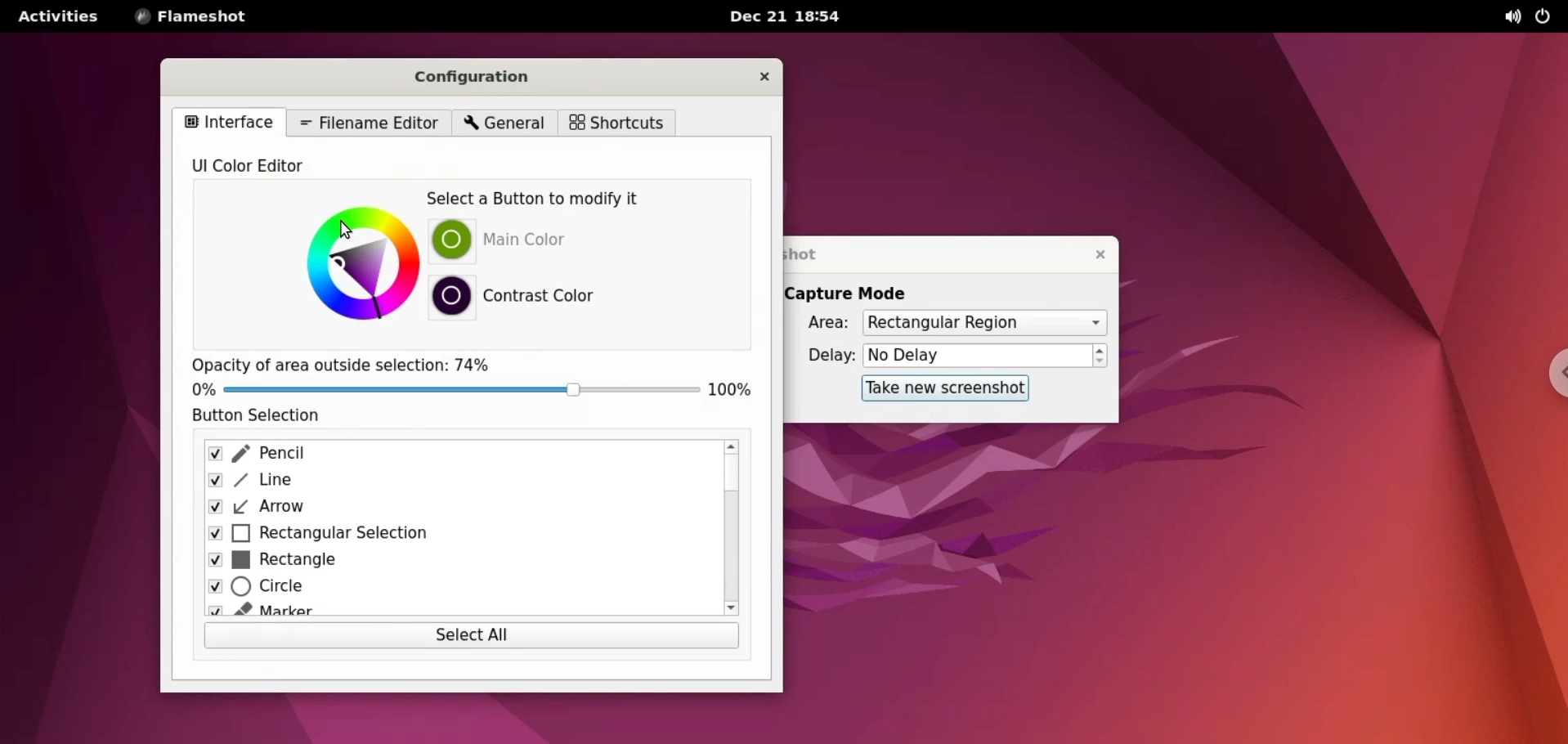 The width and height of the screenshot is (1568, 744). What do you see at coordinates (458, 392) in the screenshot?
I see `opacity slider` at bounding box center [458, 392].